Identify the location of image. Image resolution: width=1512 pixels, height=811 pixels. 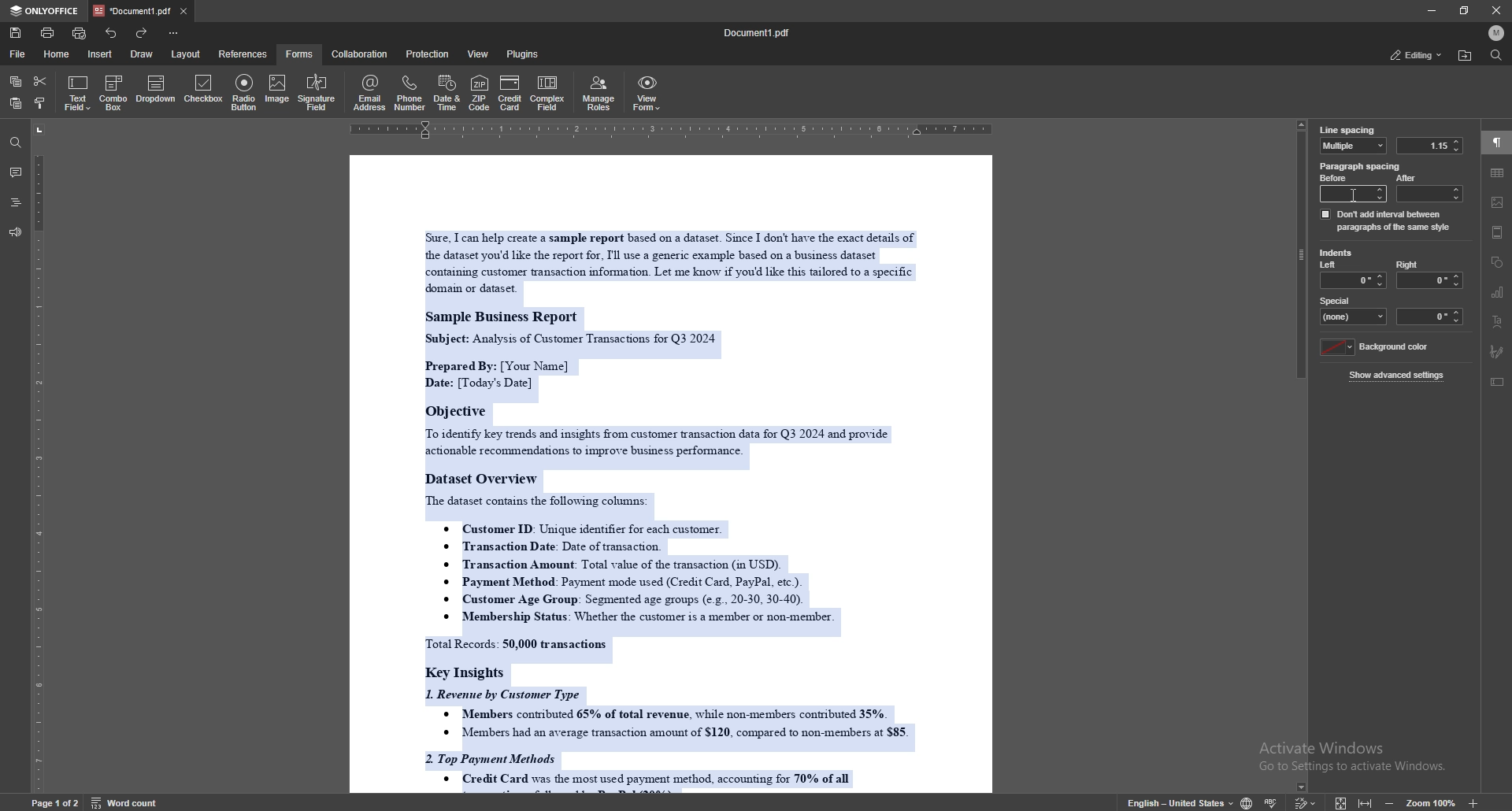
(276, 91).